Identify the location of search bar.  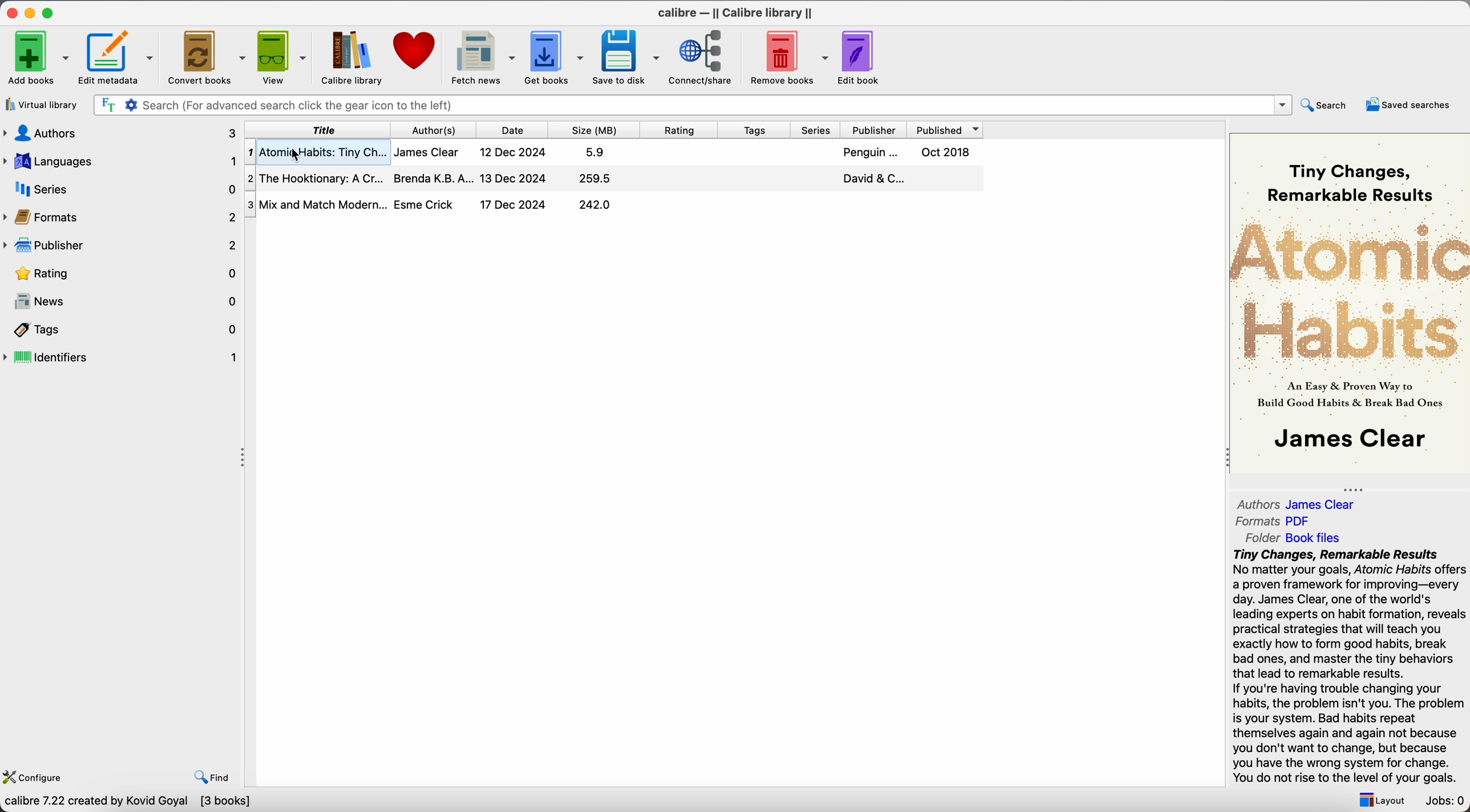
(691, 106).